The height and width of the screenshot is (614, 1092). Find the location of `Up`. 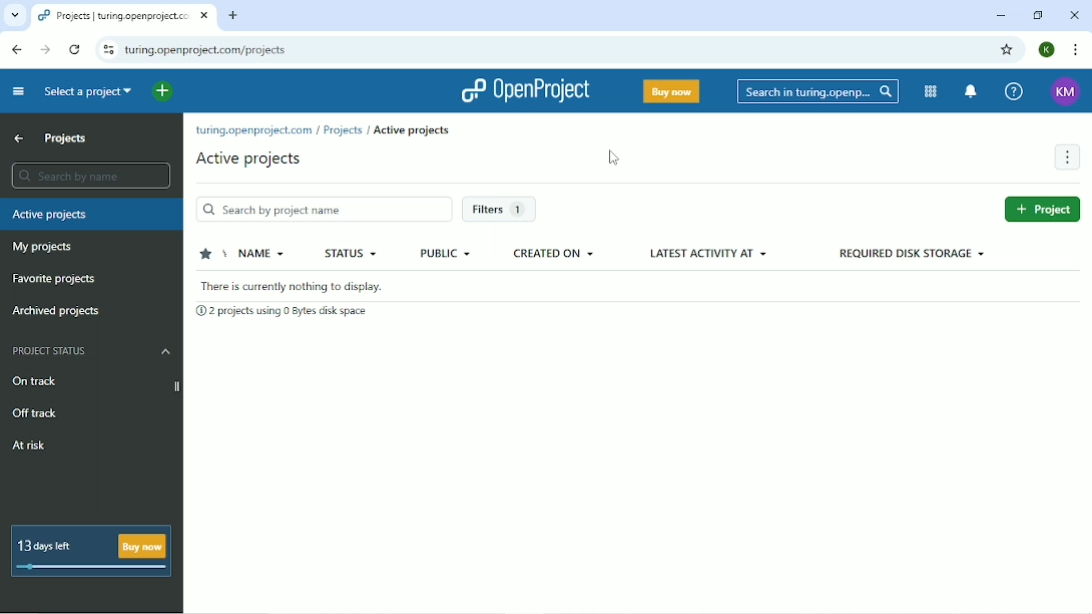

Up is located at coordinates (18, 139).